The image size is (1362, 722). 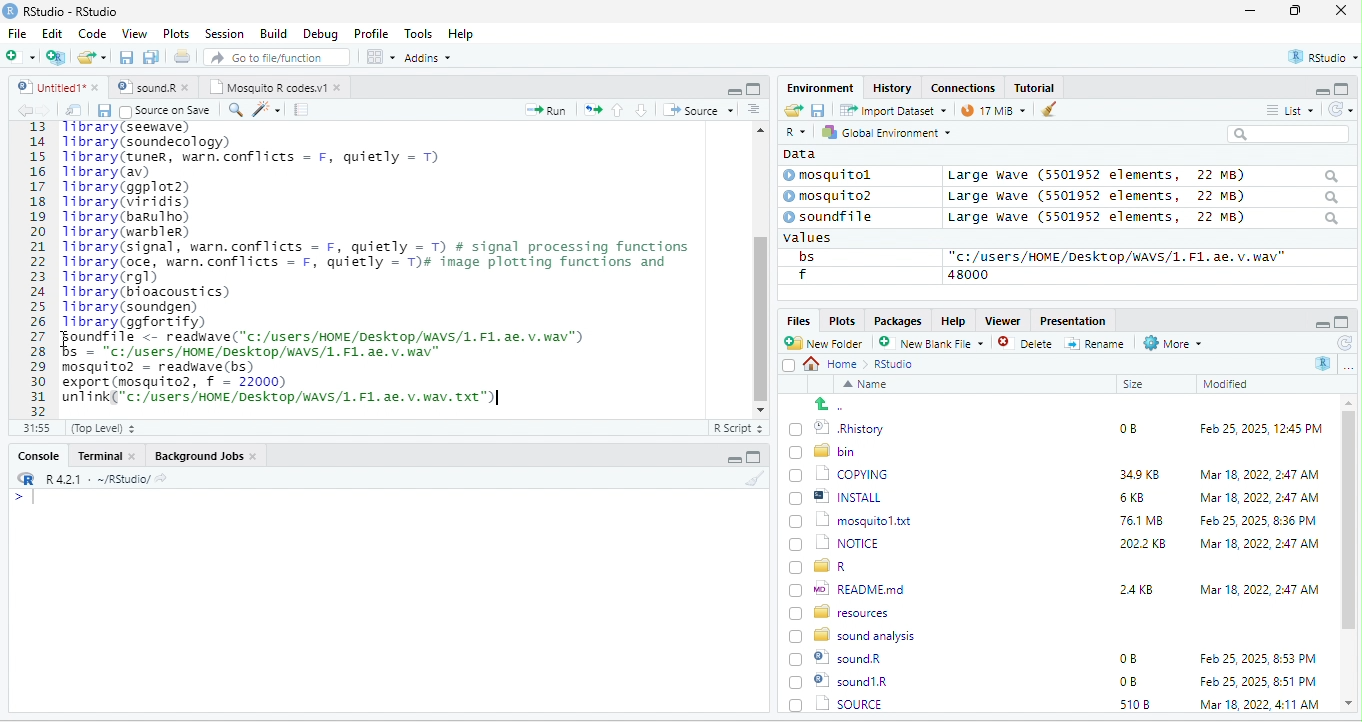 What do you see at coordinates (1344, 88) in the screenshot?
I see `maximize` at bounding box center [1344, 88].